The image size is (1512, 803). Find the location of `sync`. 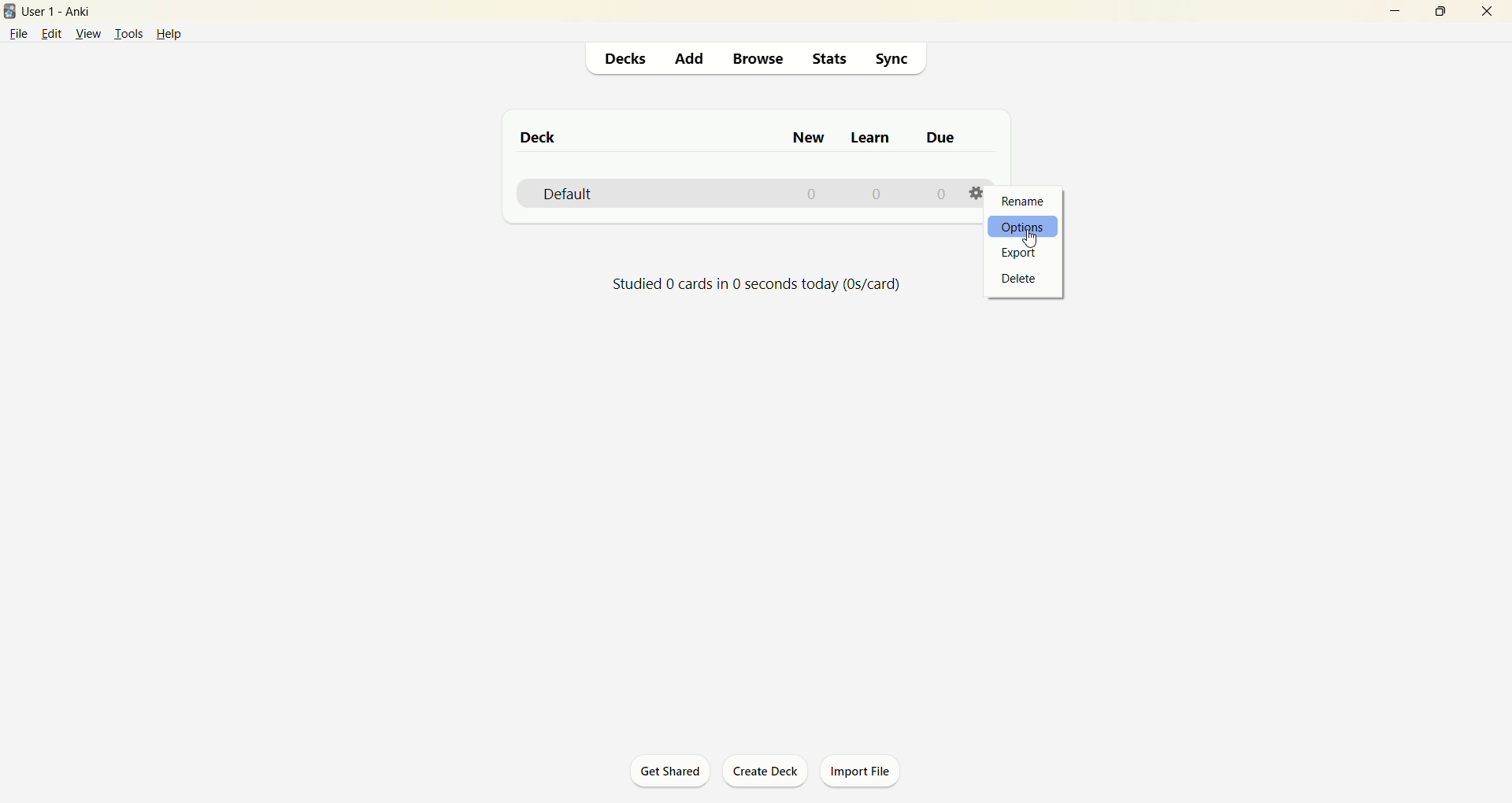

sync is located at coordinates (889, 58).